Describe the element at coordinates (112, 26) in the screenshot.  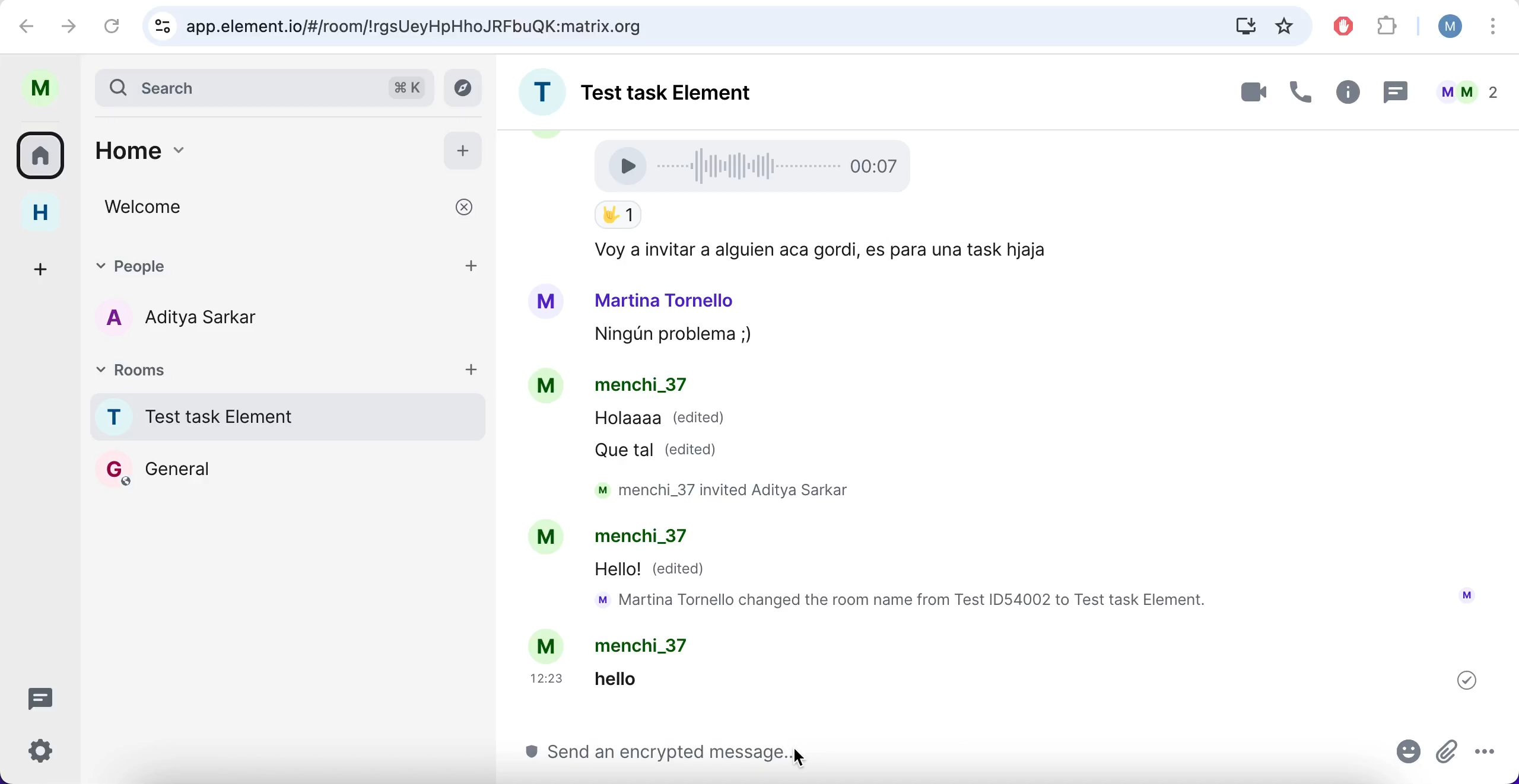
I see `reload current page` at that location.